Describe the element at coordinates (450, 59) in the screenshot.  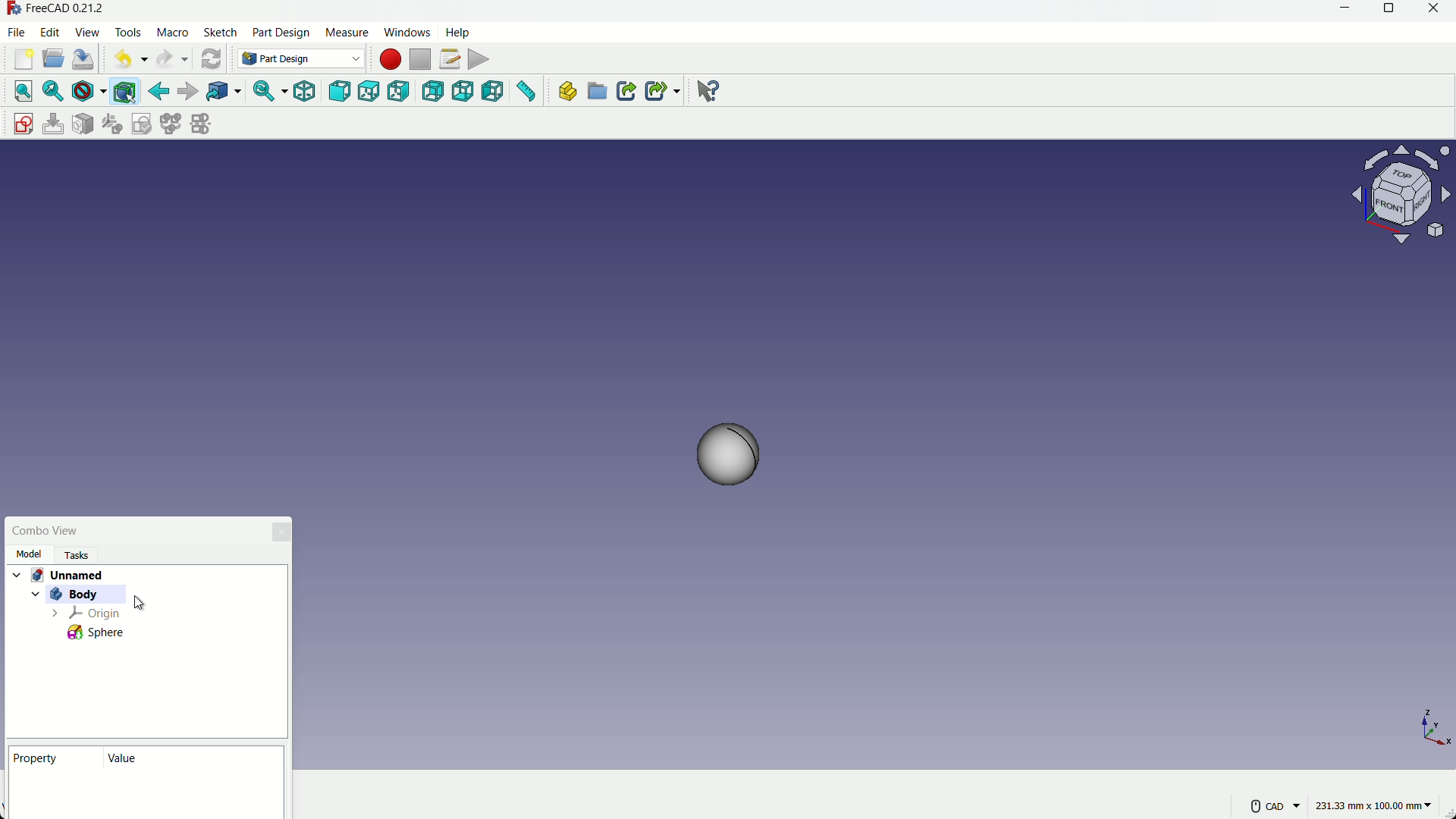
I see `macros settings` at that location.